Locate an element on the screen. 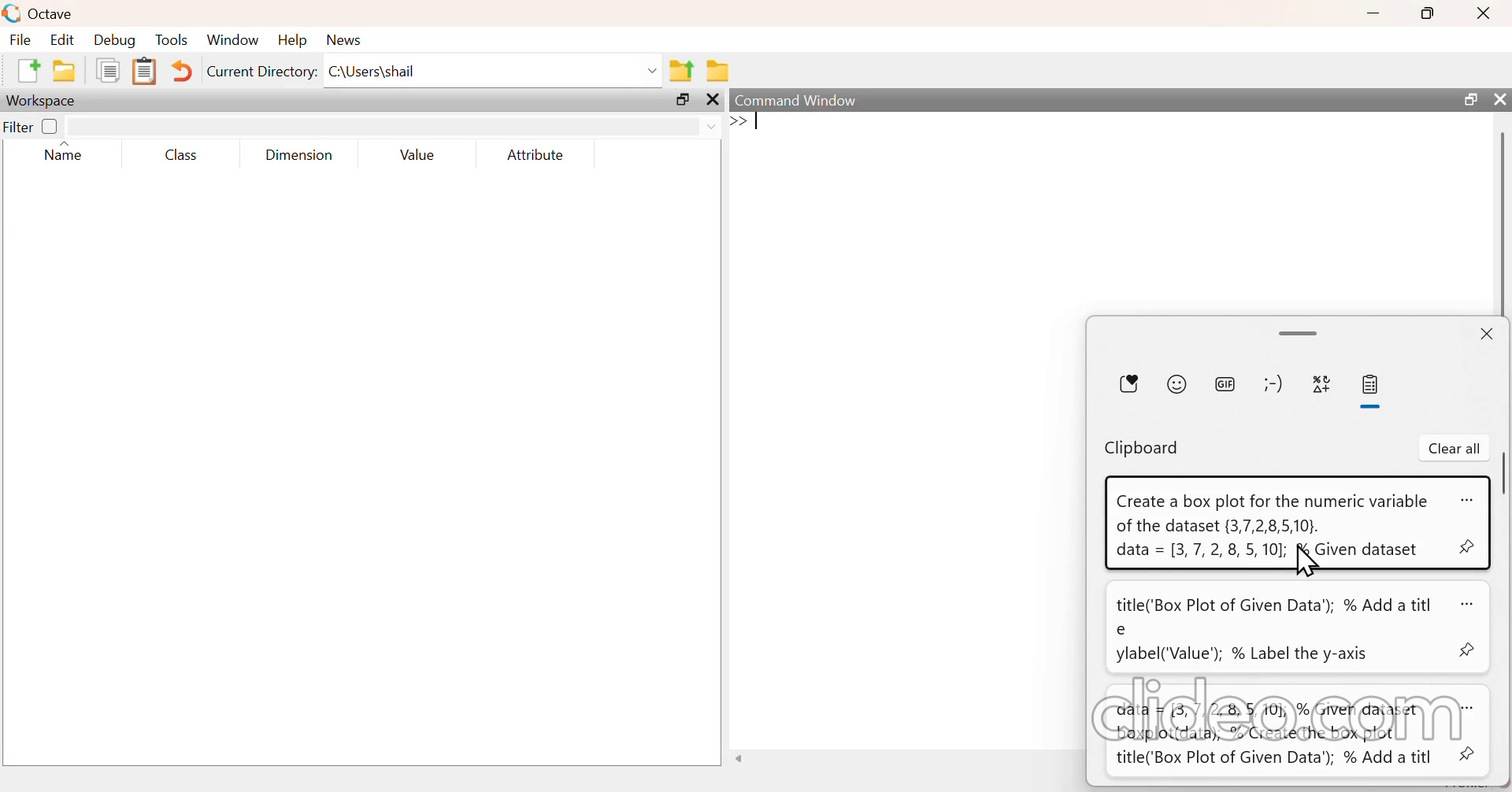 This screenshot has height=792, width=1512. title('Box Plot of Given Data’); % Add a titl is located at coordinates (1269, 757).